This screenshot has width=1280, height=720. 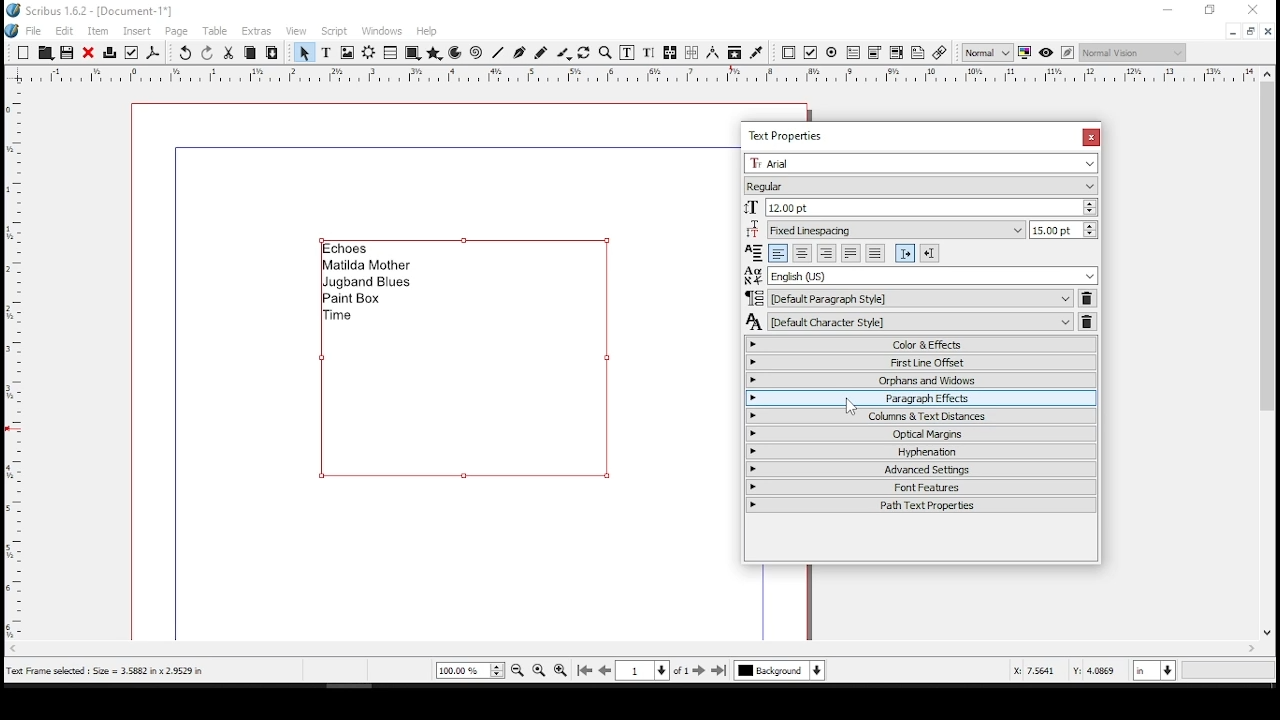 What do you see at coordinates (258, 32) in the screenshot?
I see `extras` at bounding box center [258, 32].